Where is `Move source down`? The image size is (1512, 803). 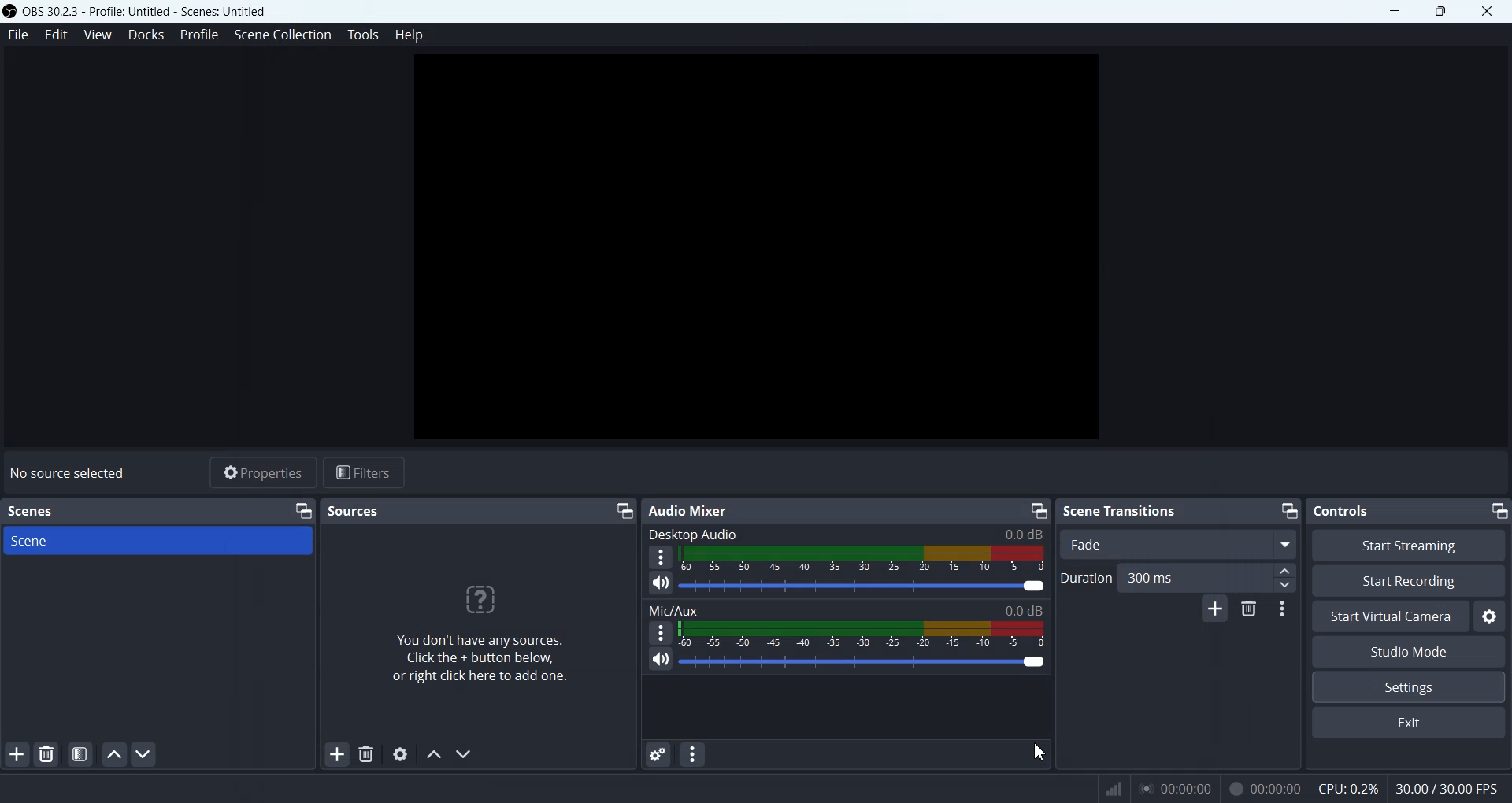 Move source down is located at coordinates (465, 753).